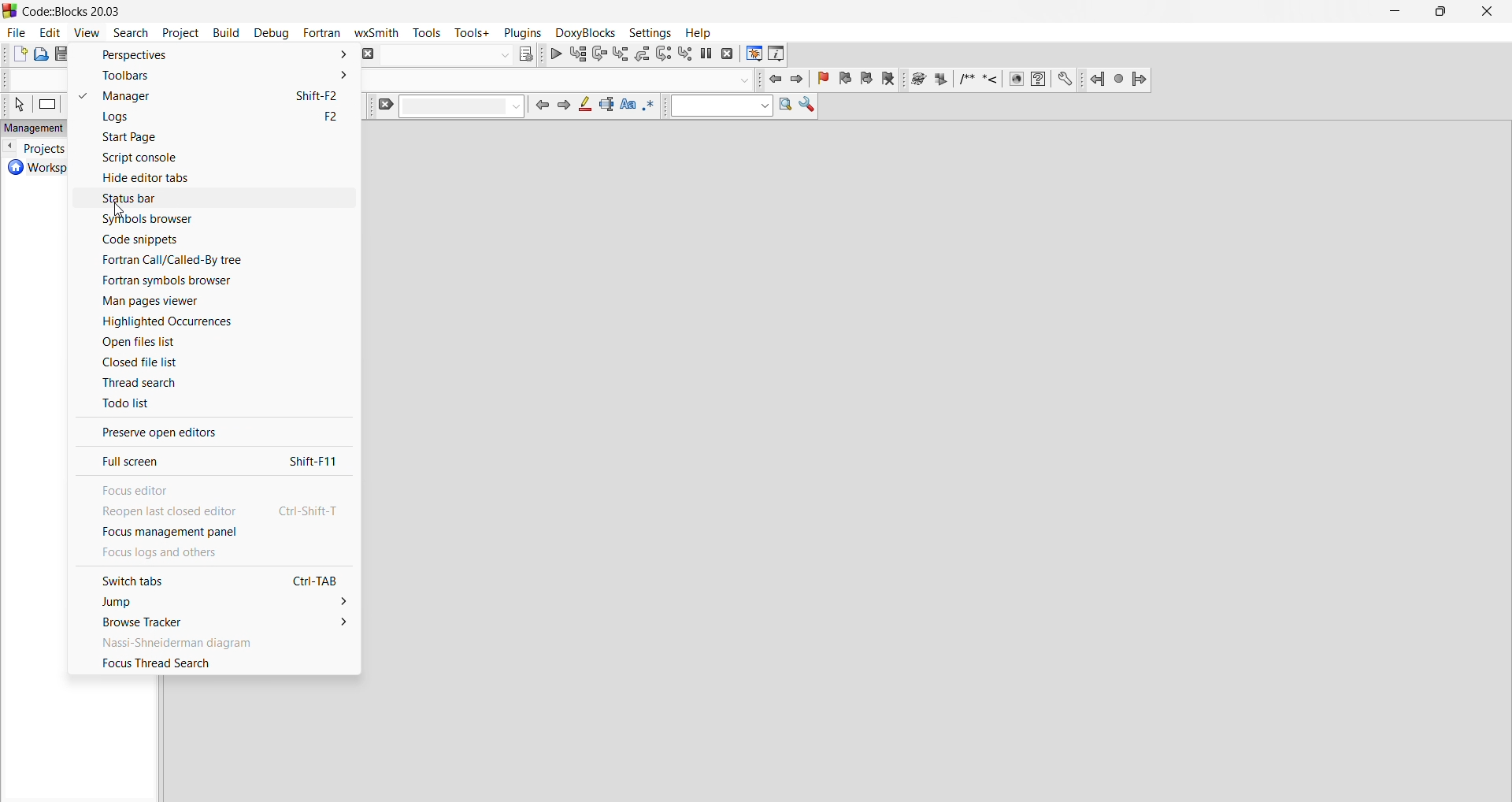 Image resolution: width=1512 pixels, height=802 pixels. What do you see at coordinates (181, 33) in the screenshot?
I see `project` at bounding box center [181, 33].